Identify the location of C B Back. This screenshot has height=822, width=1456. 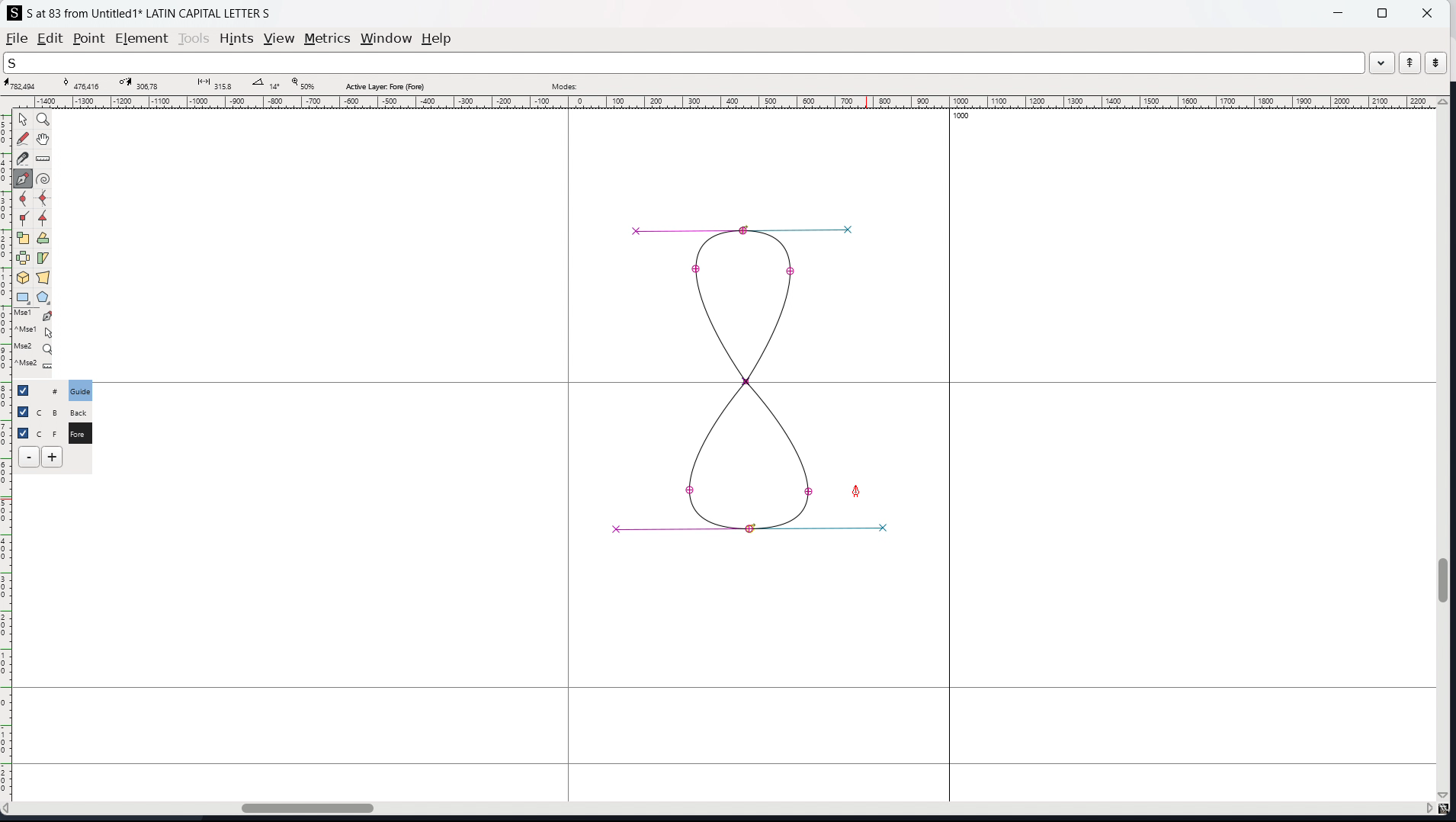
(78, 410).